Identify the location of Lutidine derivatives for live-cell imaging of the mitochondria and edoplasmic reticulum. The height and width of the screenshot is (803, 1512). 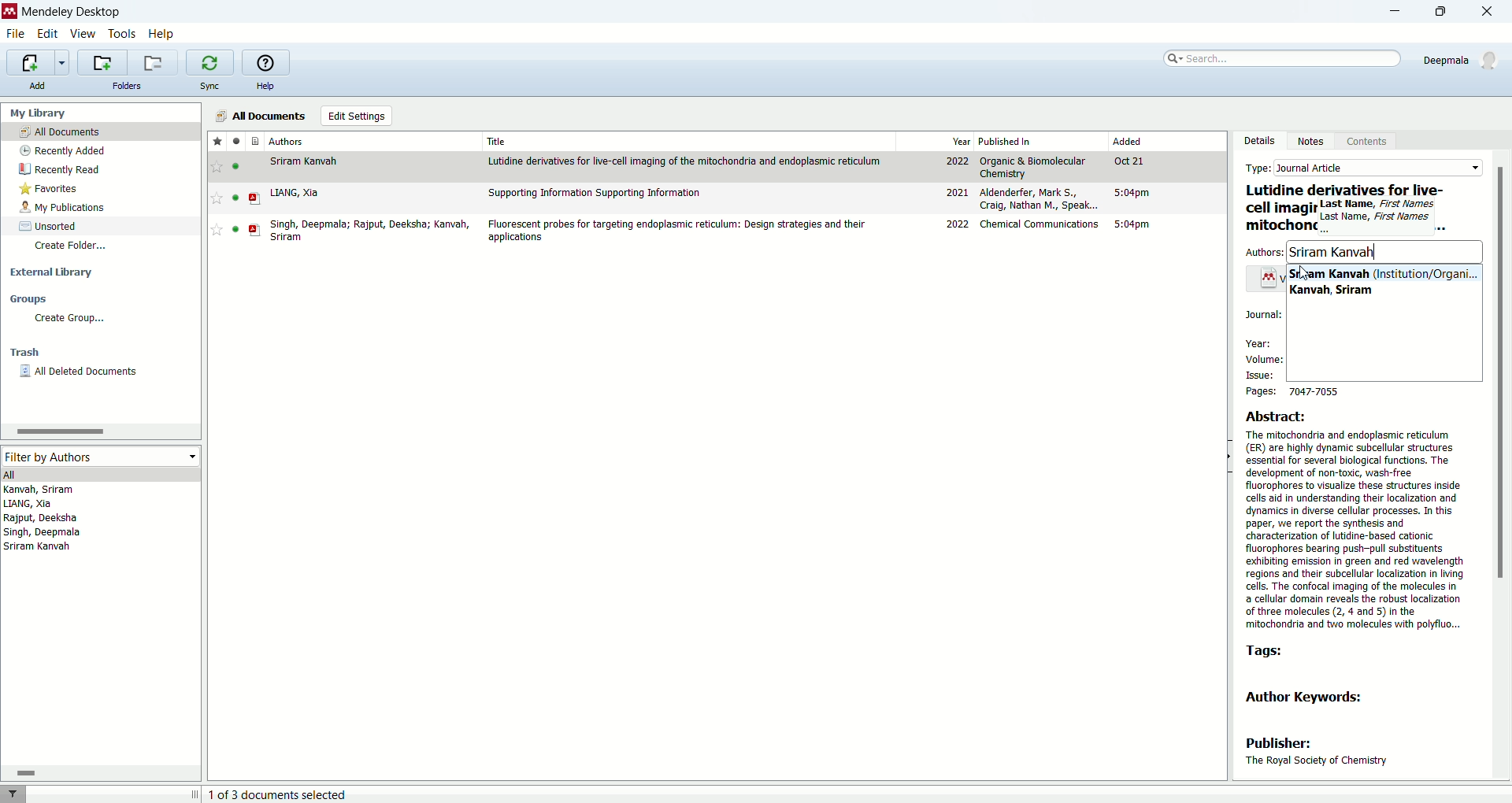
(687, 161).